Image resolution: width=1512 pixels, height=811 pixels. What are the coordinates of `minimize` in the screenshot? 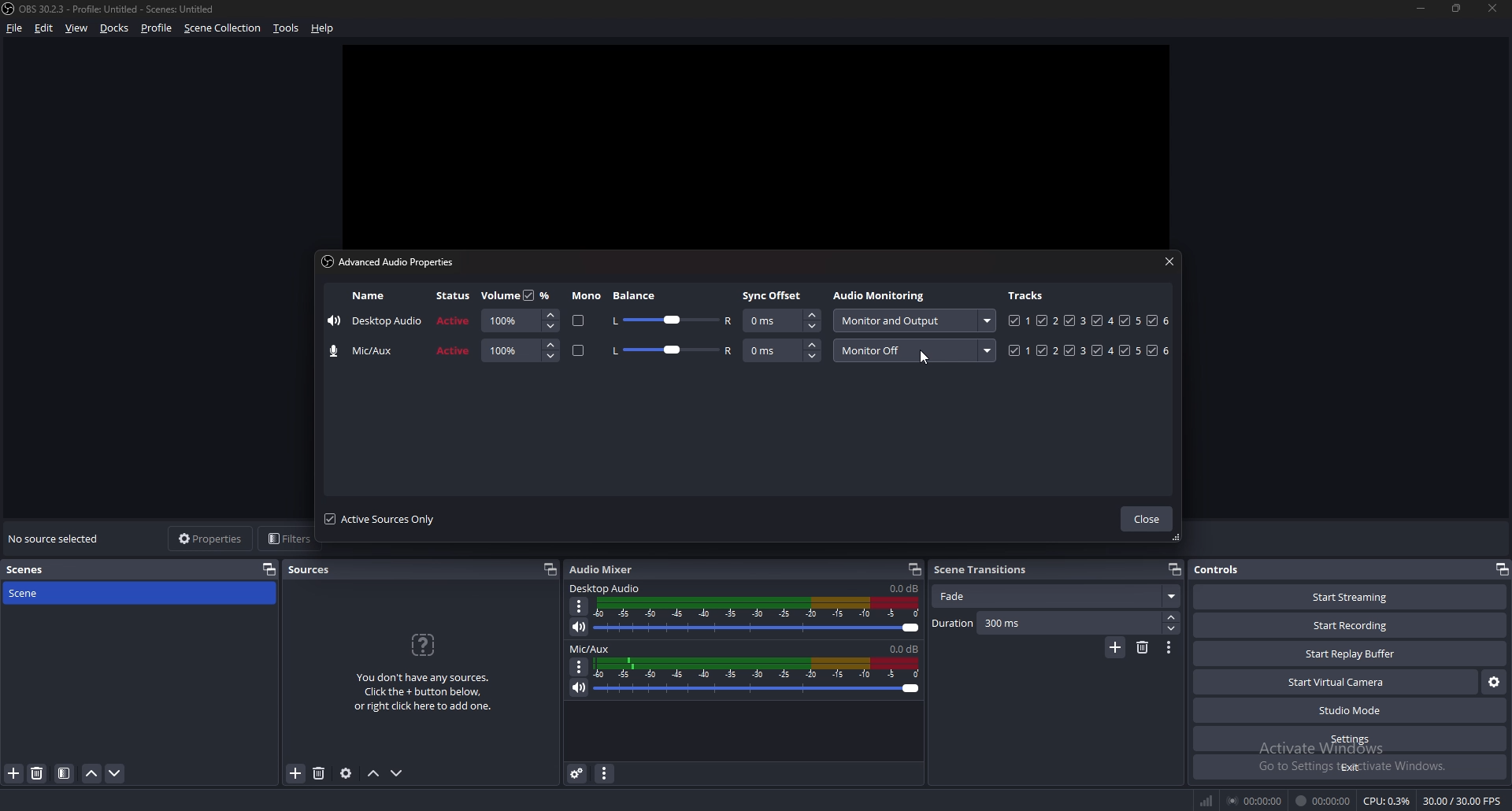 It's located at (1420, 9).